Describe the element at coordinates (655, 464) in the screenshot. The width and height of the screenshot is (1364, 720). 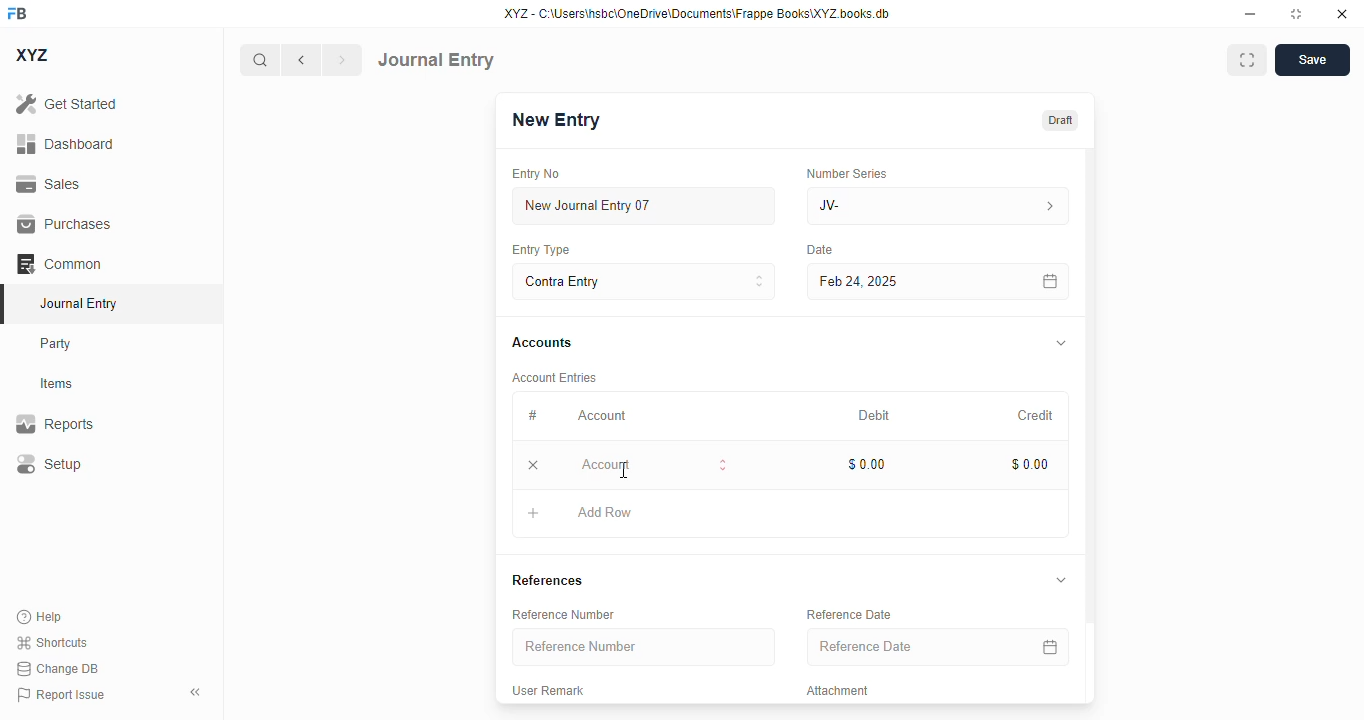
I see `account` at that location.